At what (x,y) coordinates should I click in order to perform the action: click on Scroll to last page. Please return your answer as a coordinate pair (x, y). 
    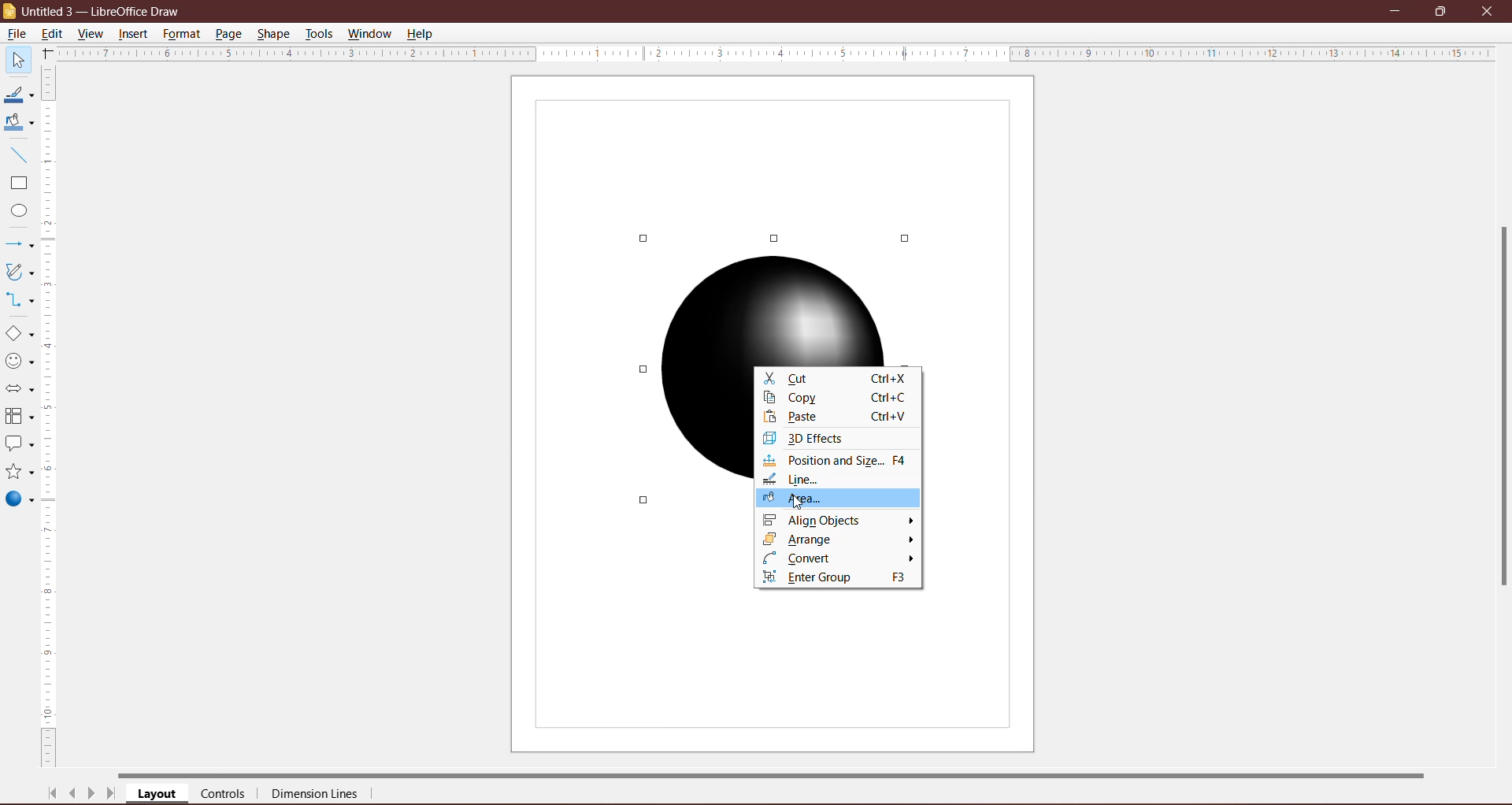
    Looking at the image, I should click on (112, 796).